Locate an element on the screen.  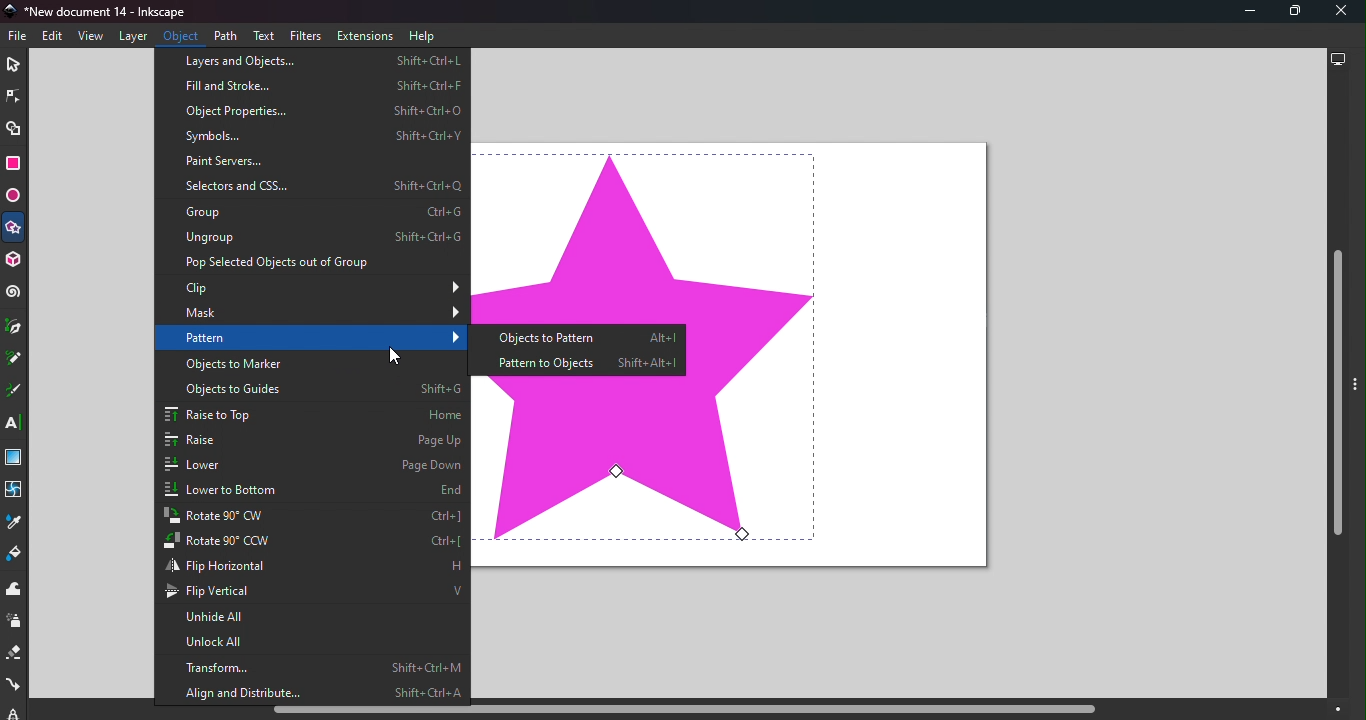
Display options is located at coordinates (1338, 62).